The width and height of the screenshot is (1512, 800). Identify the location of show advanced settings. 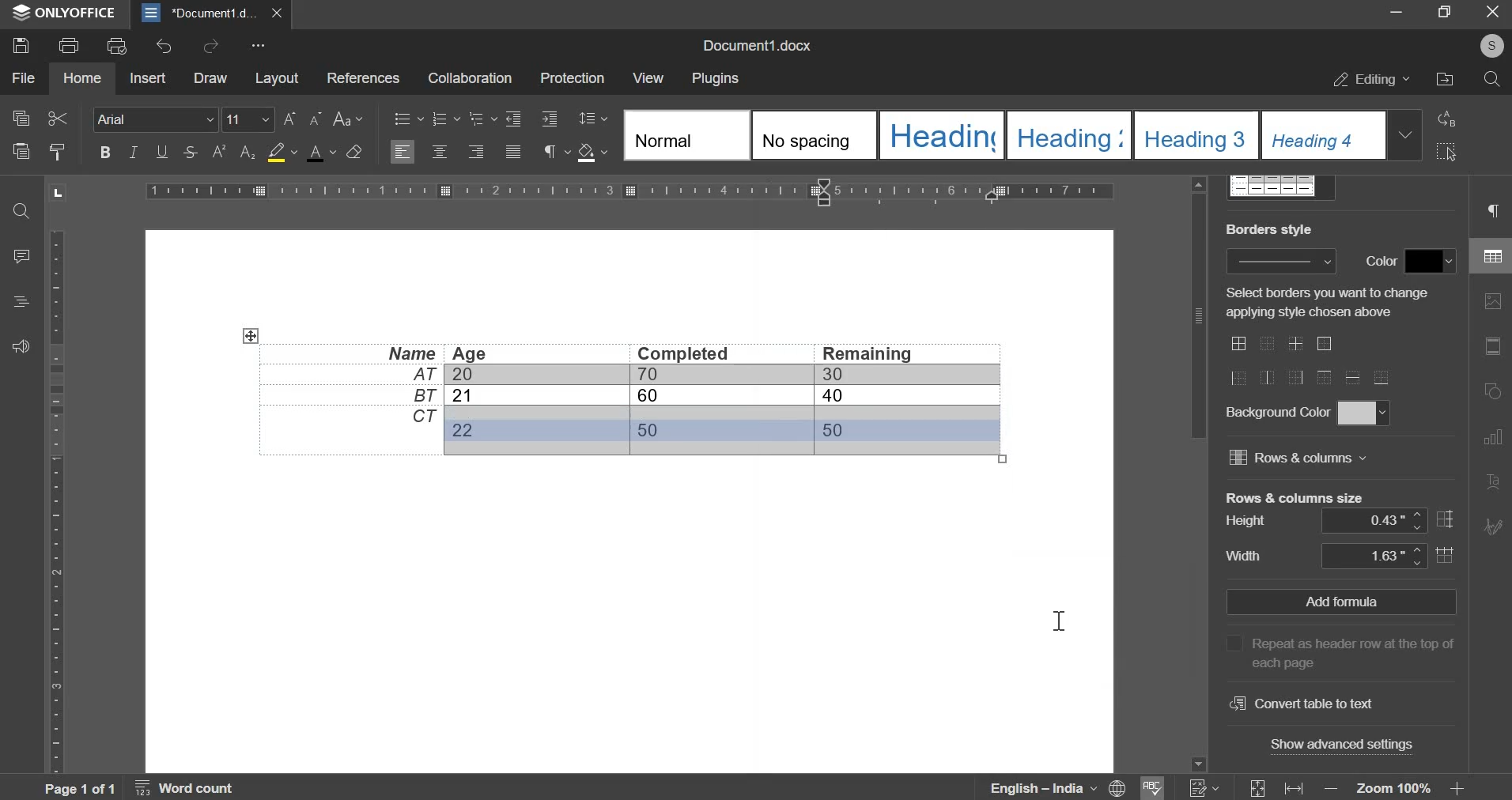
(1348, 746).